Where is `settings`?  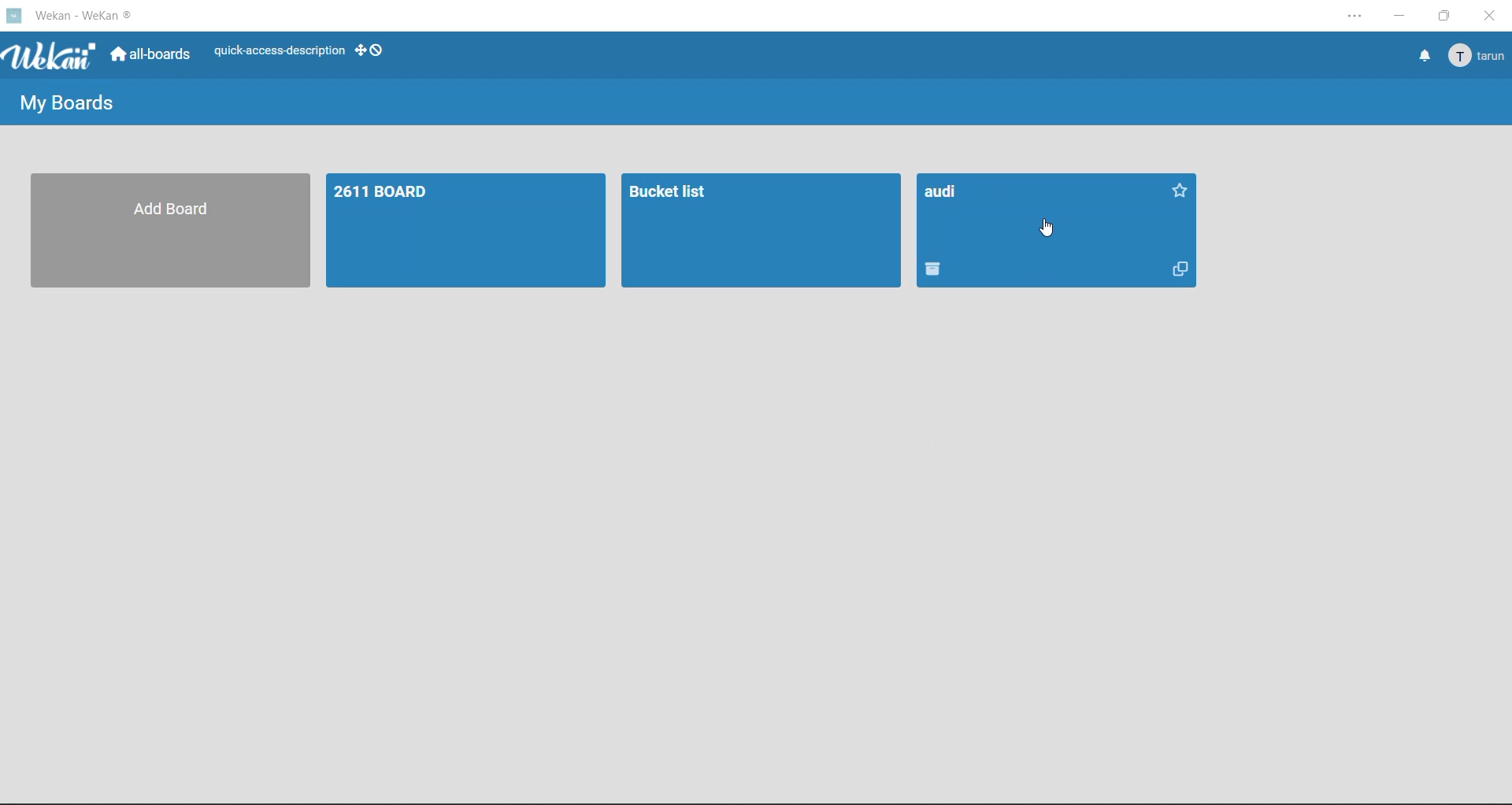 settings is located at coordinates (1352, 16).